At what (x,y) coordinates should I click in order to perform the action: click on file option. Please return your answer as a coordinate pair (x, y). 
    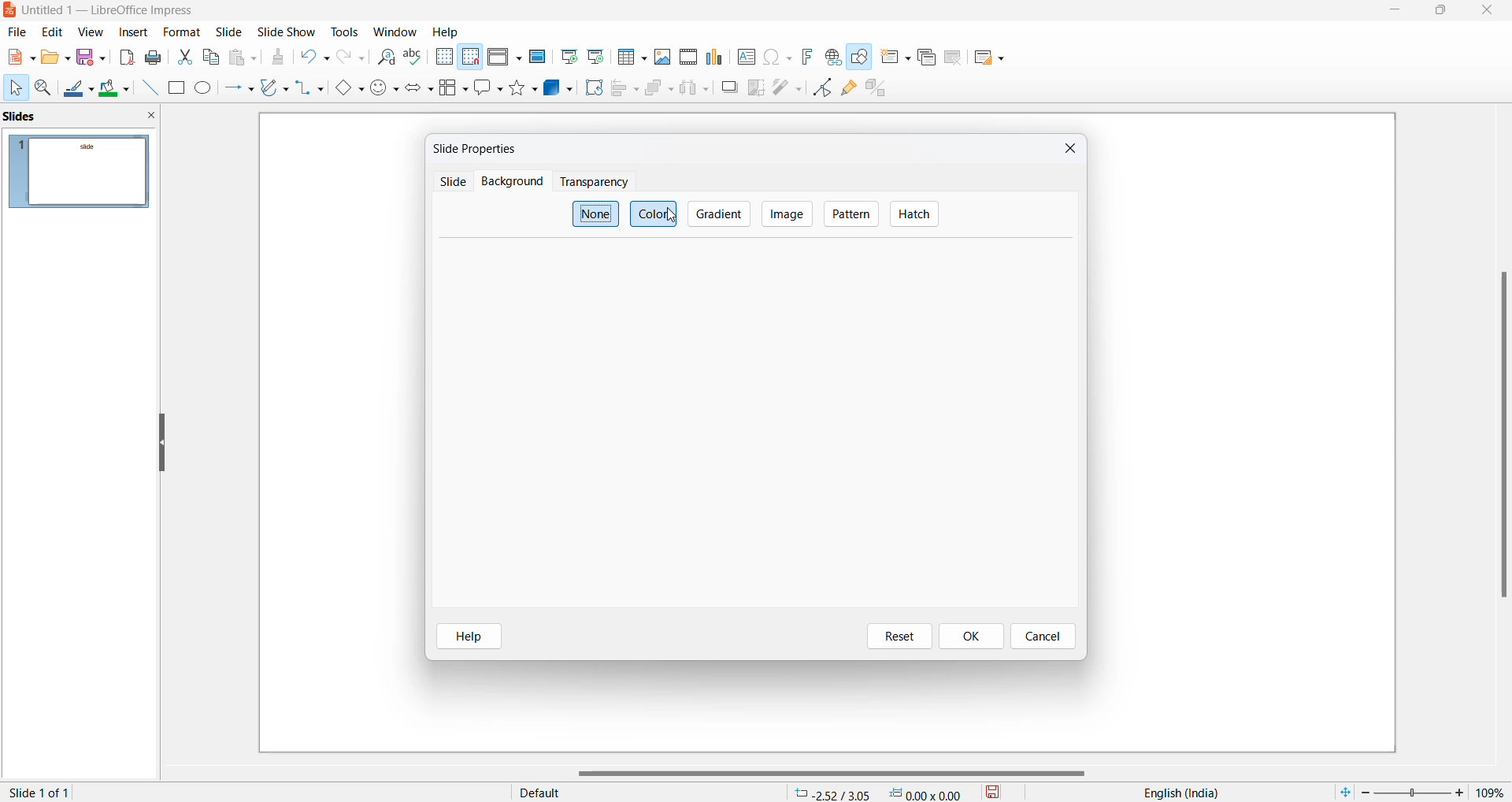
    Looking at the image, I should click on (56, 58).